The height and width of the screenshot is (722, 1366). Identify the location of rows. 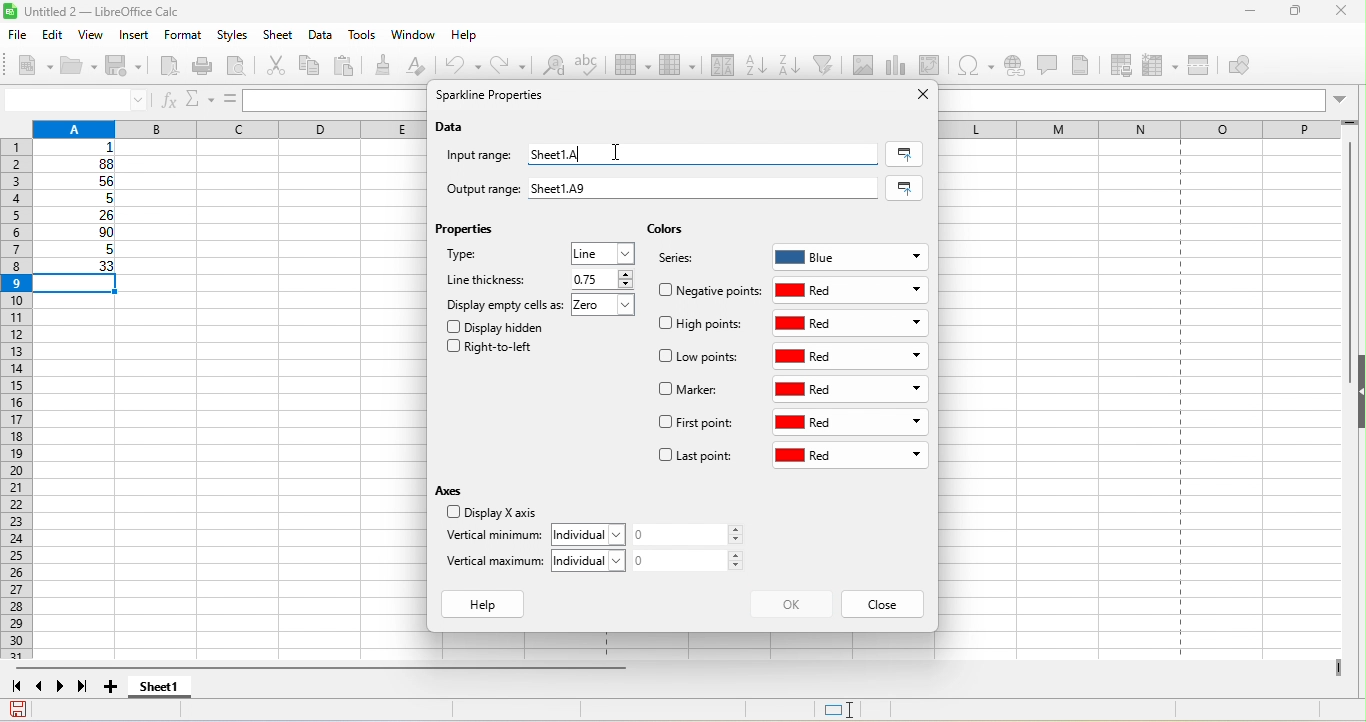
(15, 401).